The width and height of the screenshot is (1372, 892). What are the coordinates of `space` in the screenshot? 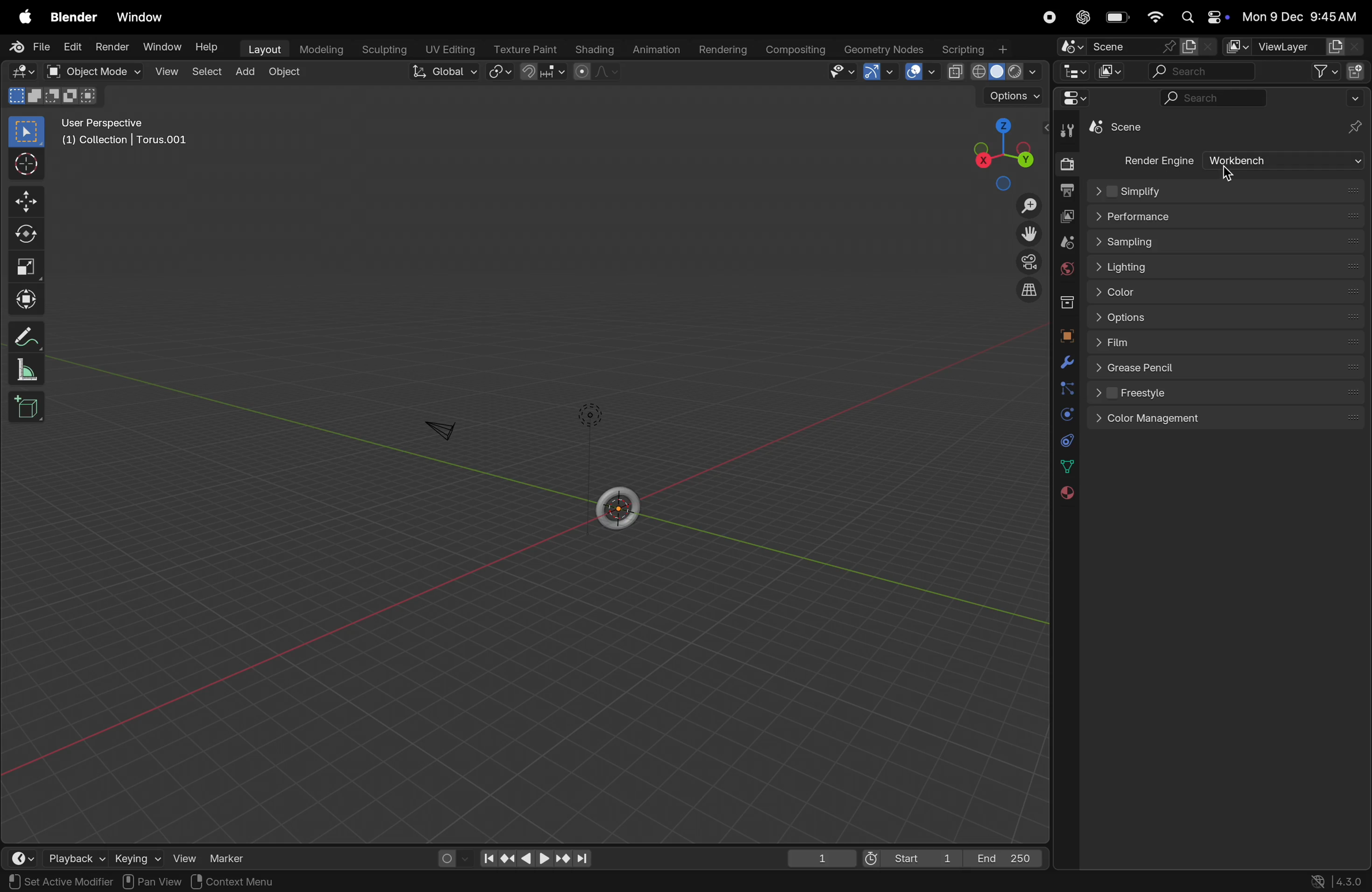 It's located at (917, 73).